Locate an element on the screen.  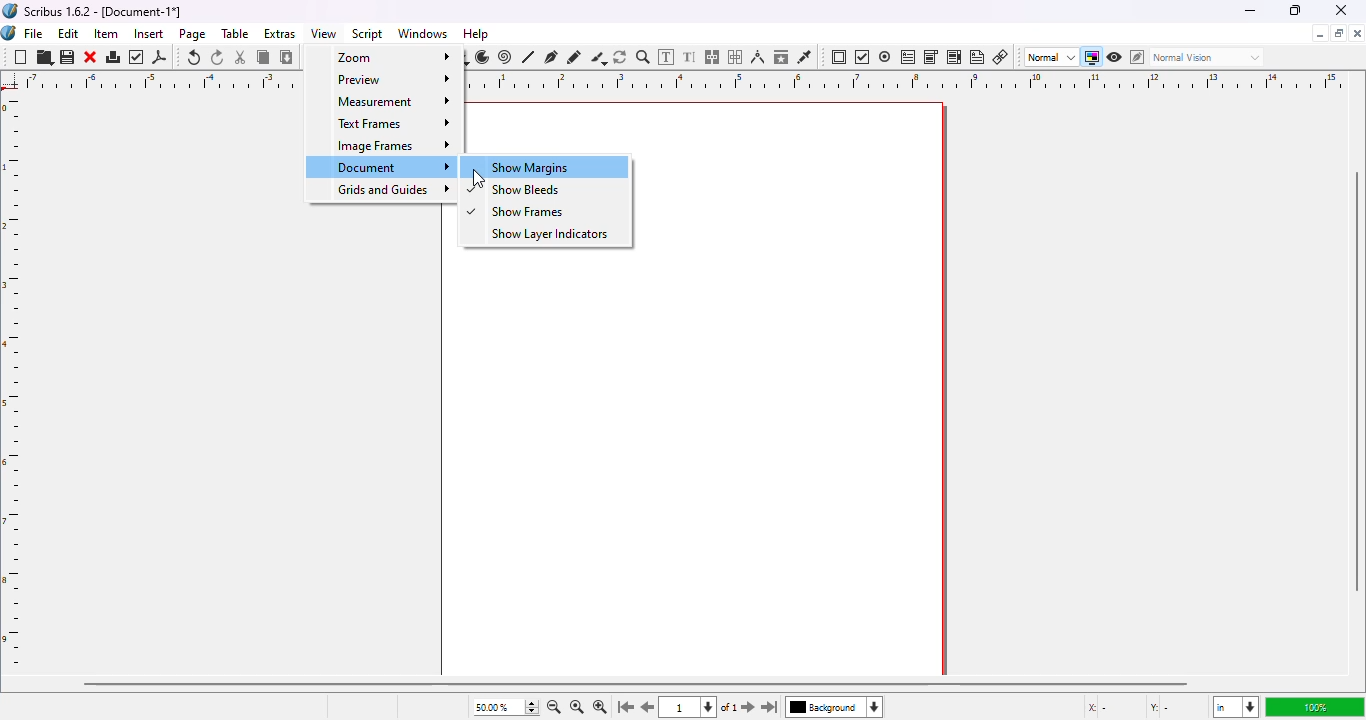
print is located at coordinates (114, 57).